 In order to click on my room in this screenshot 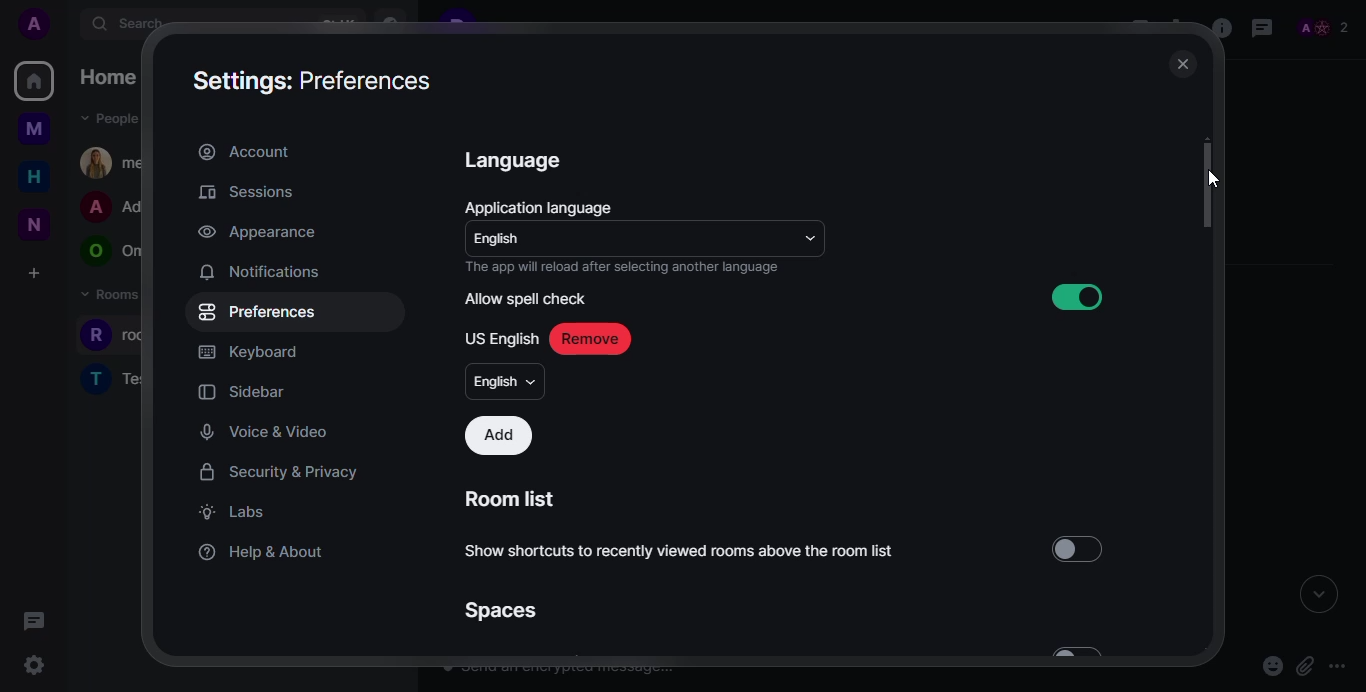, I will do `click(116, 162)`.